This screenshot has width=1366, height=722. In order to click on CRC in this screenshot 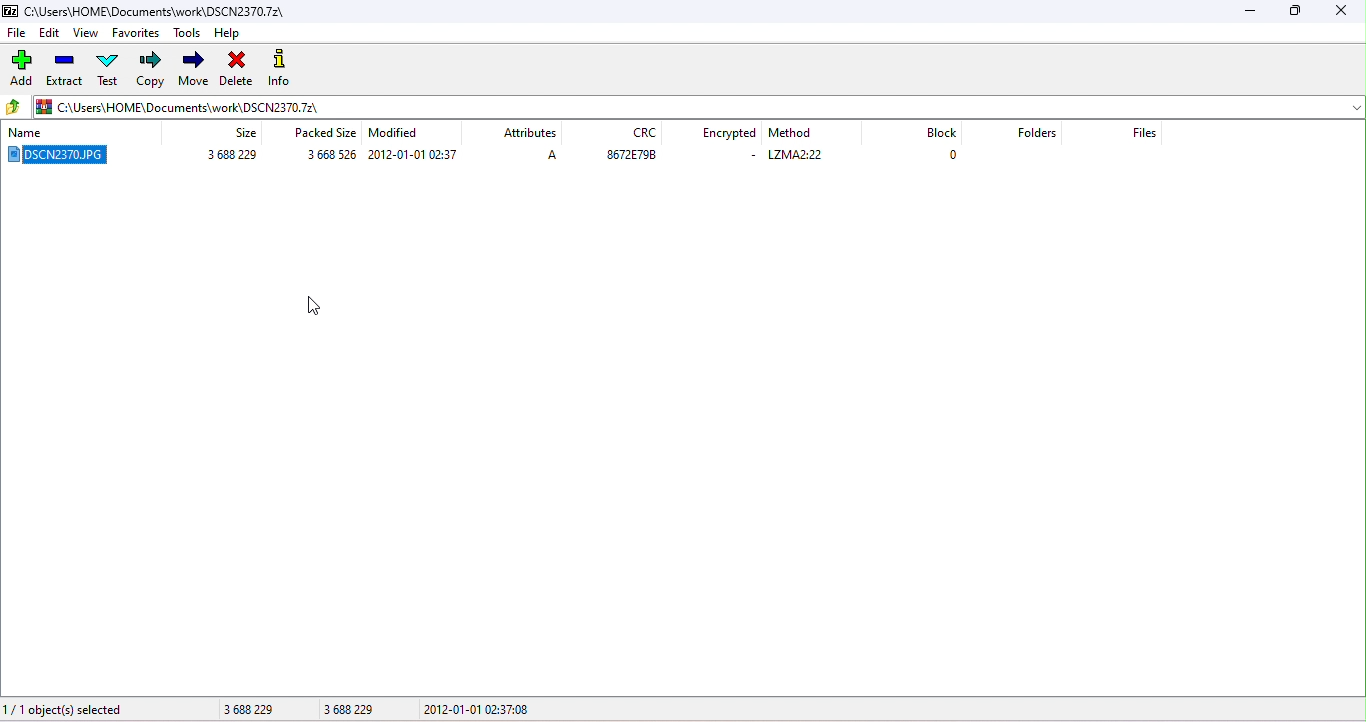, I will do `click(638, 135)`.